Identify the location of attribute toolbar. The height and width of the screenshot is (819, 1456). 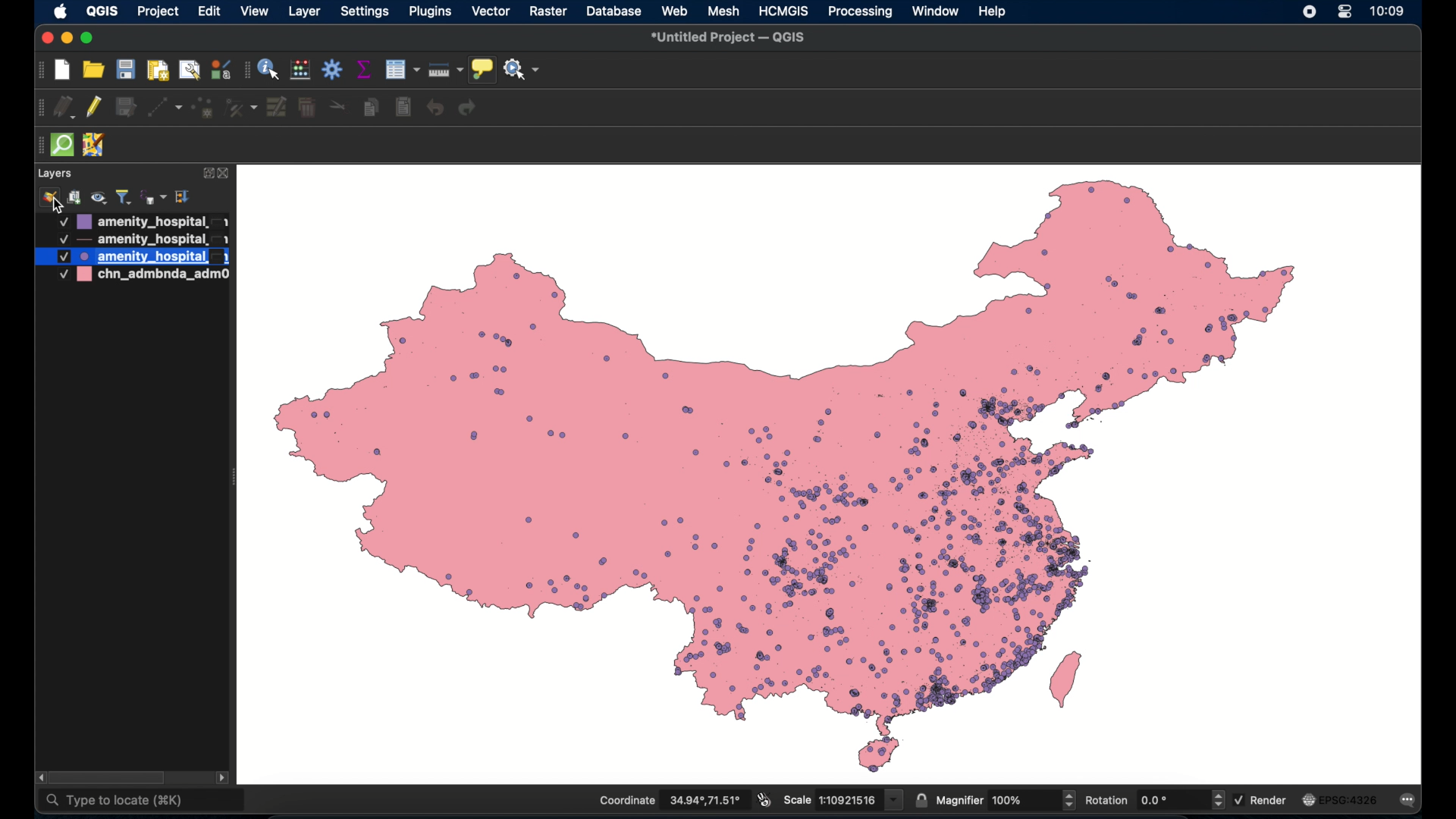
(246, 72).